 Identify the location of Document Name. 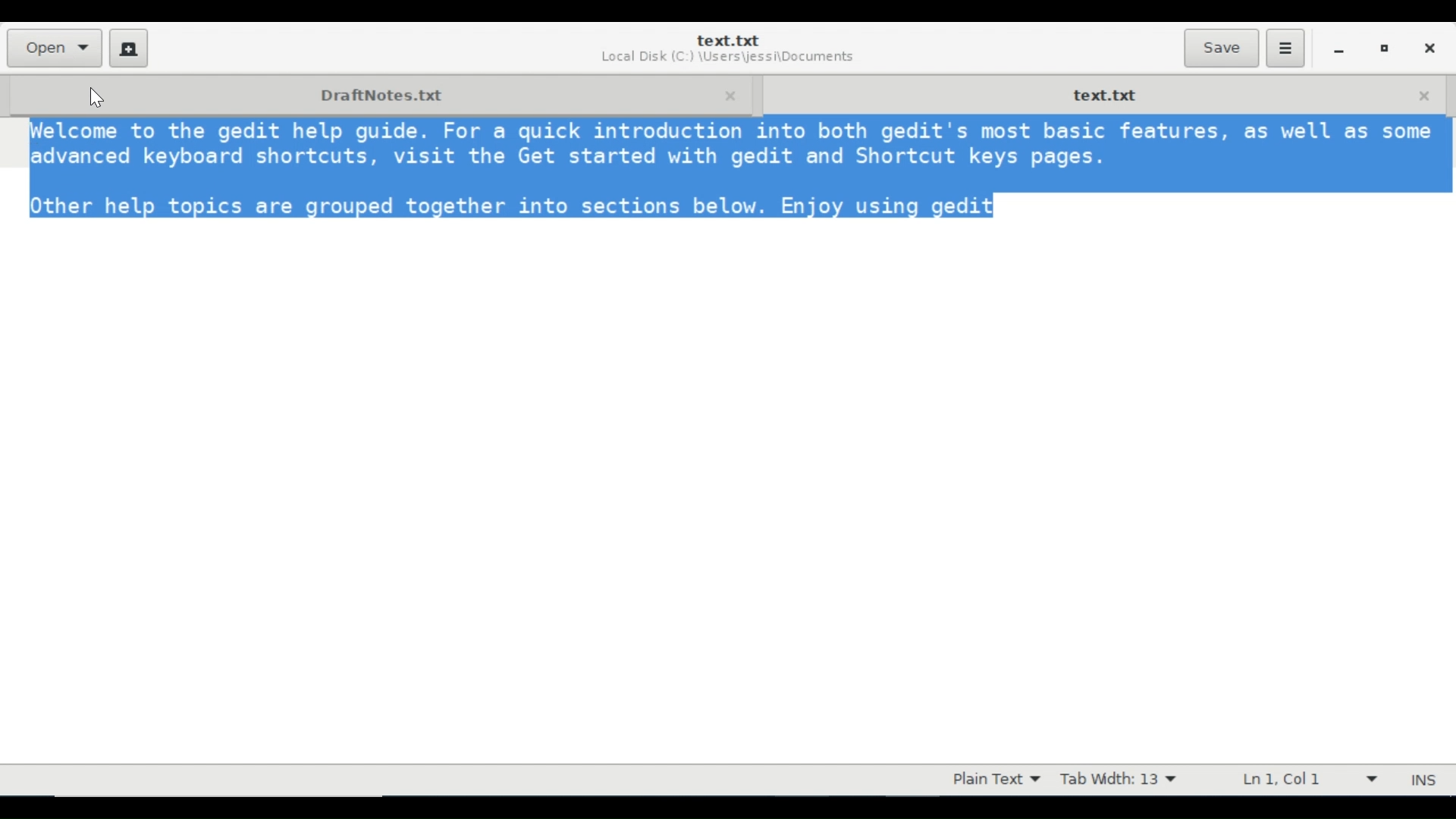
(727, 40).